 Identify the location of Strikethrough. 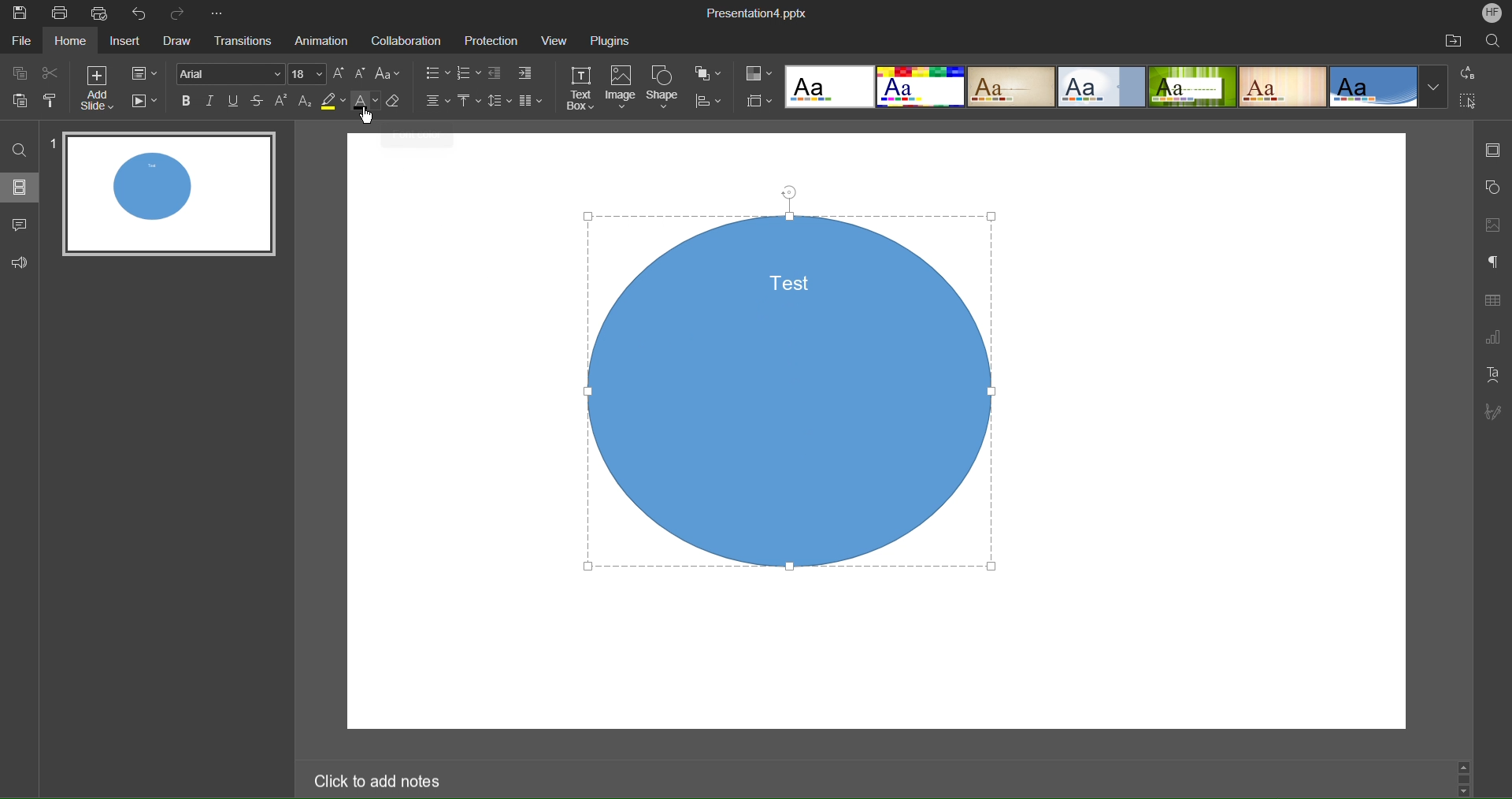
(258, 102).